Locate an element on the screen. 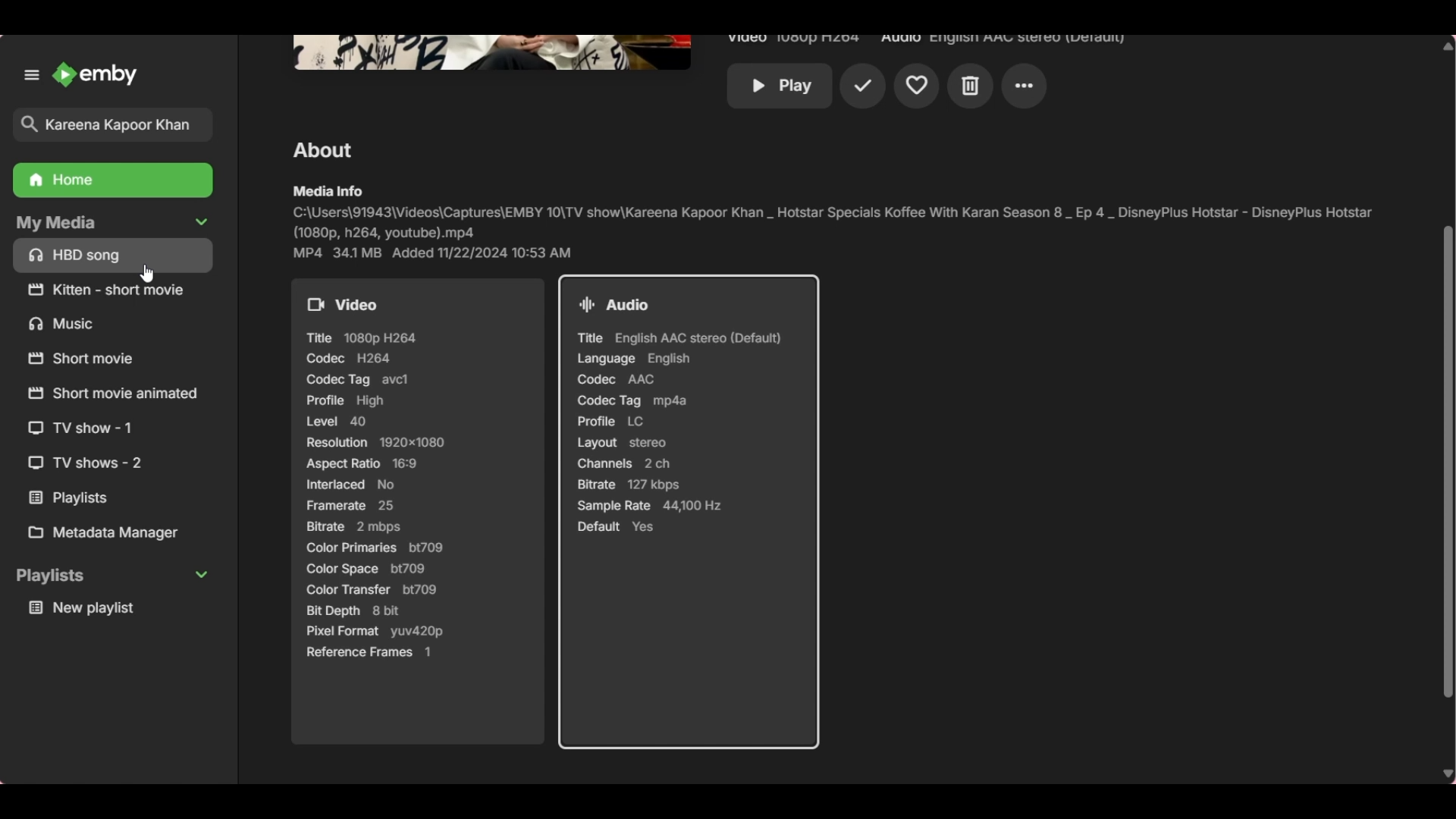 This screenshot has height=819, width=1456.  is located at coordinates (775, 86).